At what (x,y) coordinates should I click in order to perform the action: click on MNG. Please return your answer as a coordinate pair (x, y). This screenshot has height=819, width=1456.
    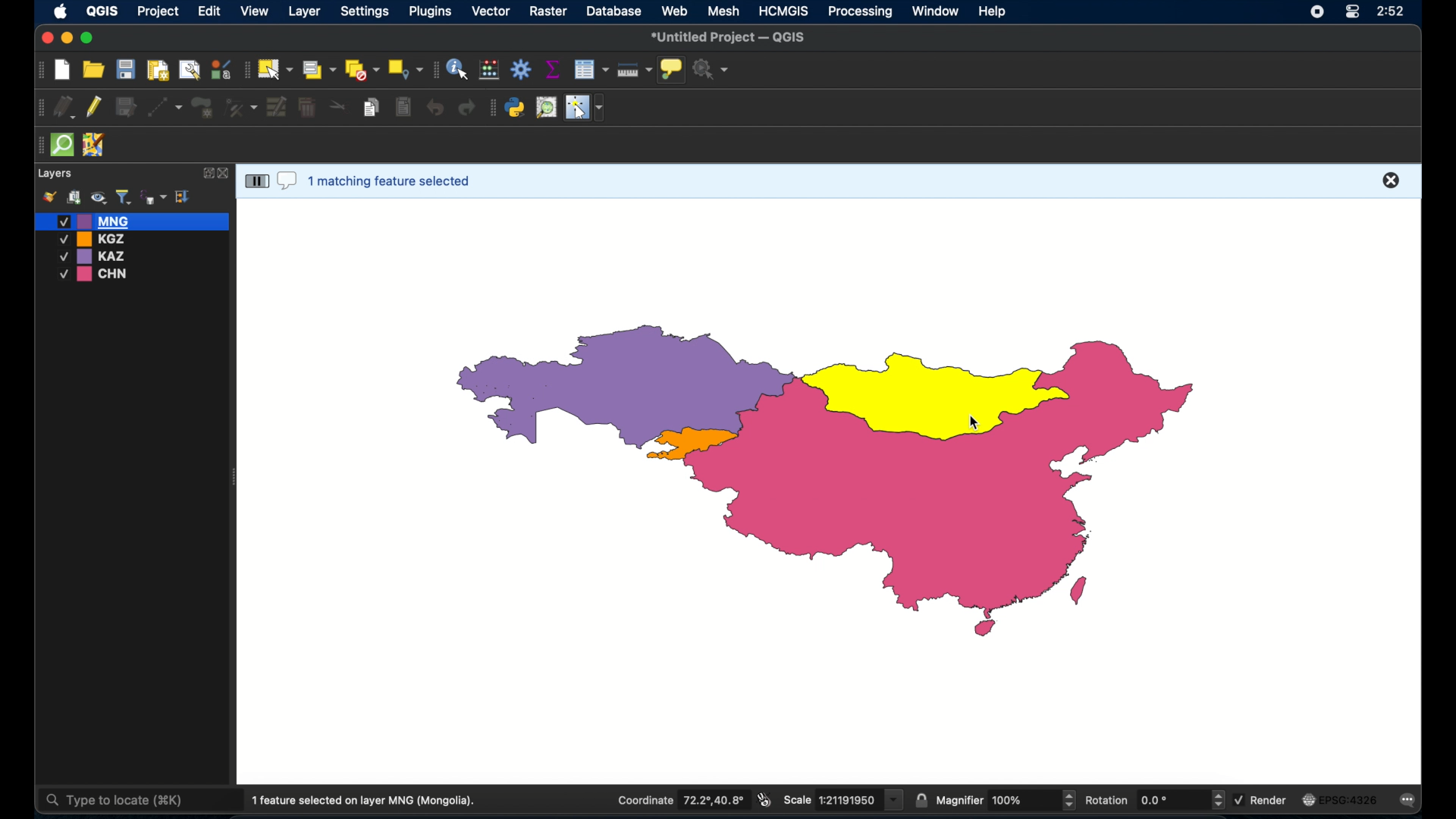
    Looking at the image, I should click on (133, 221).